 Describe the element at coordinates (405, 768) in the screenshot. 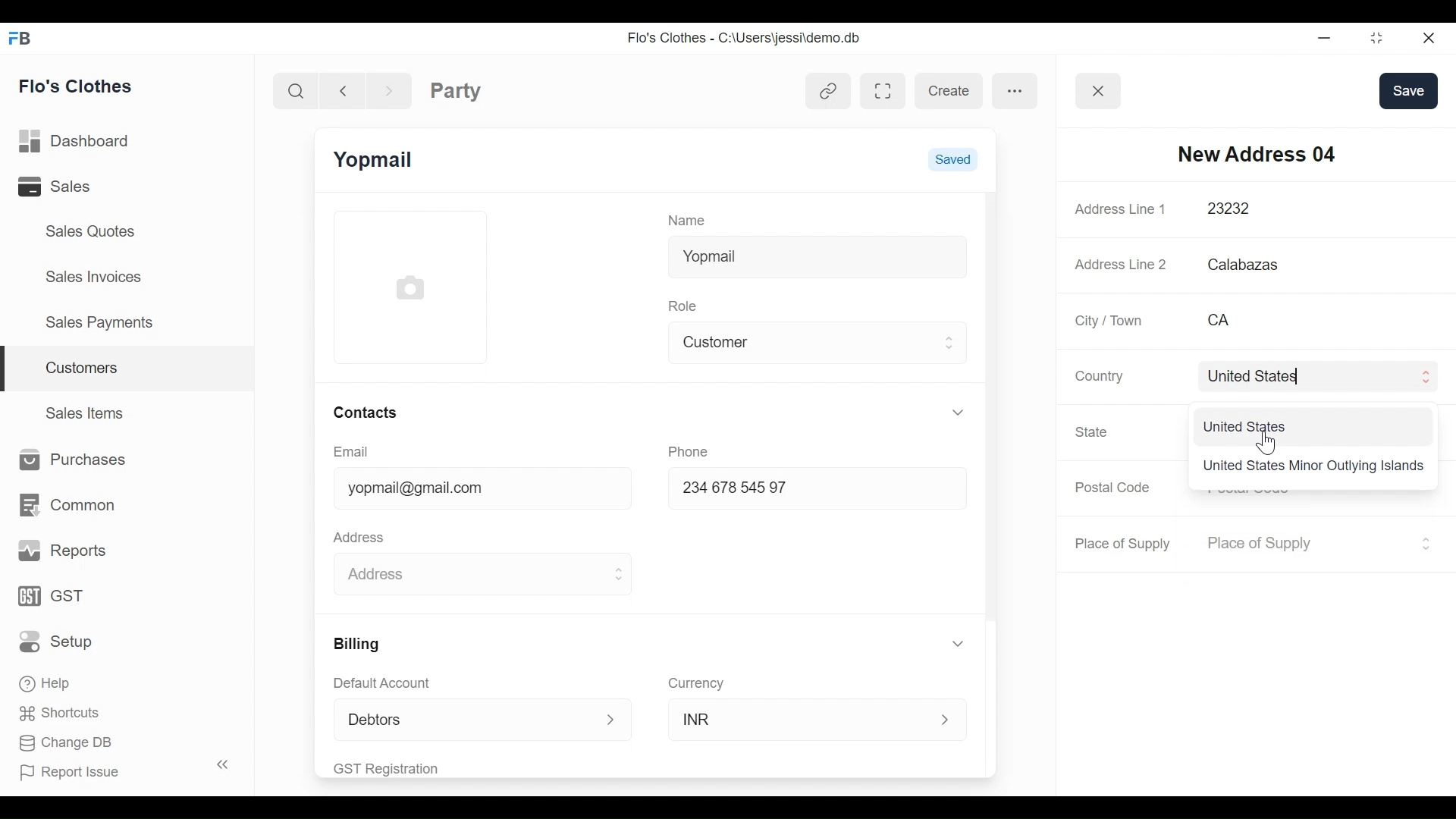

I see `GST Registration` at that location.